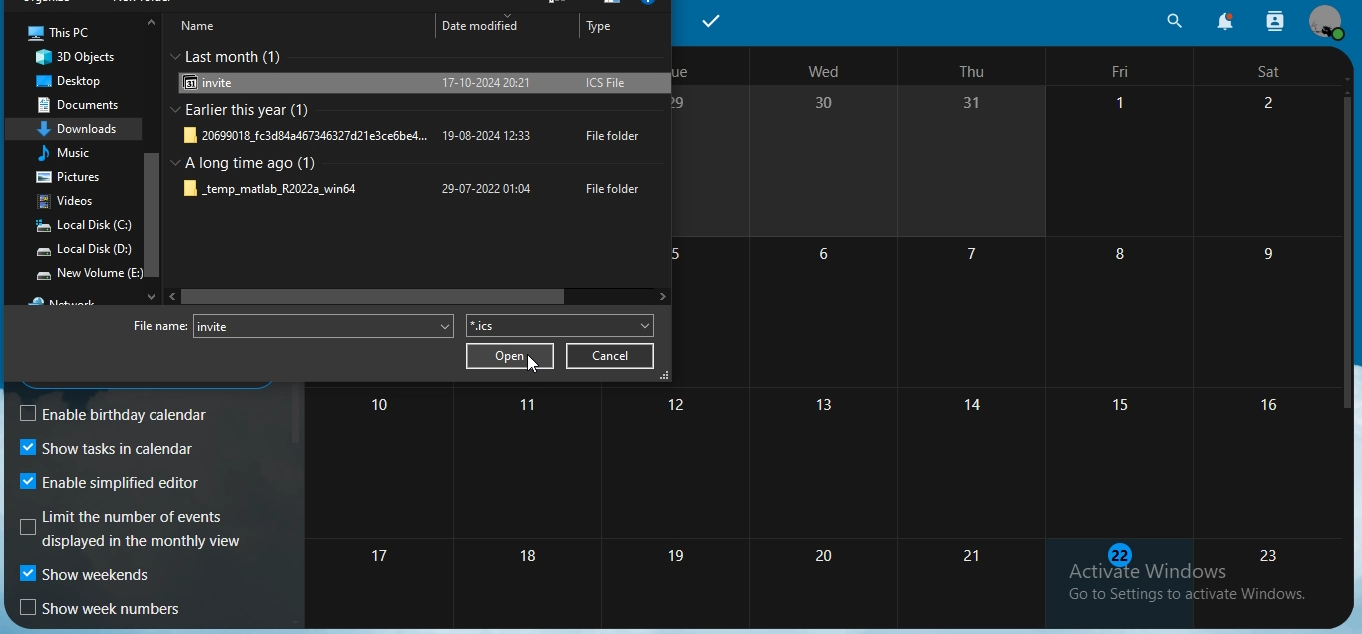  I want to click on date modified, so click(479, 24).